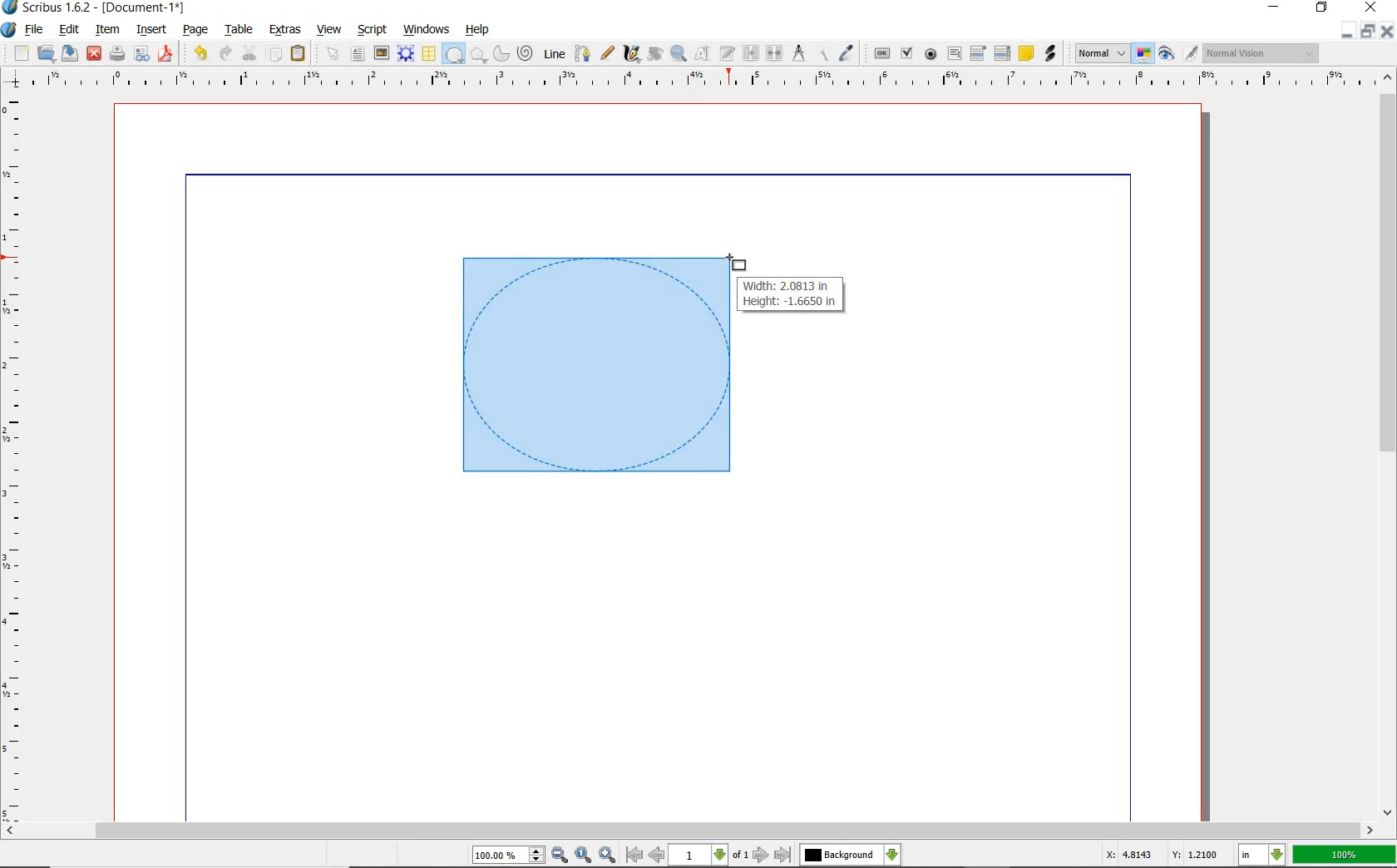  I want to click on PREVIEW MODE, so click(1165, 54).